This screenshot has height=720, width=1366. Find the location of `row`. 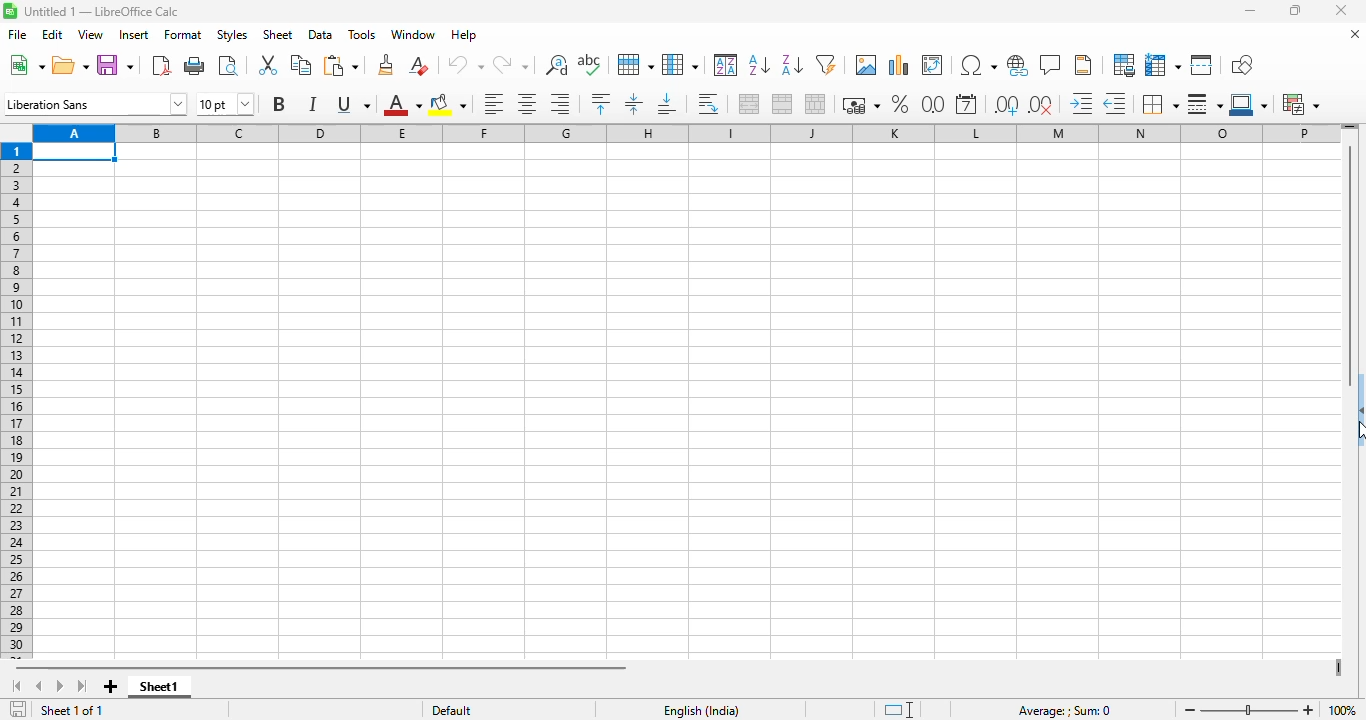

row is located at coordinates (635, 64).